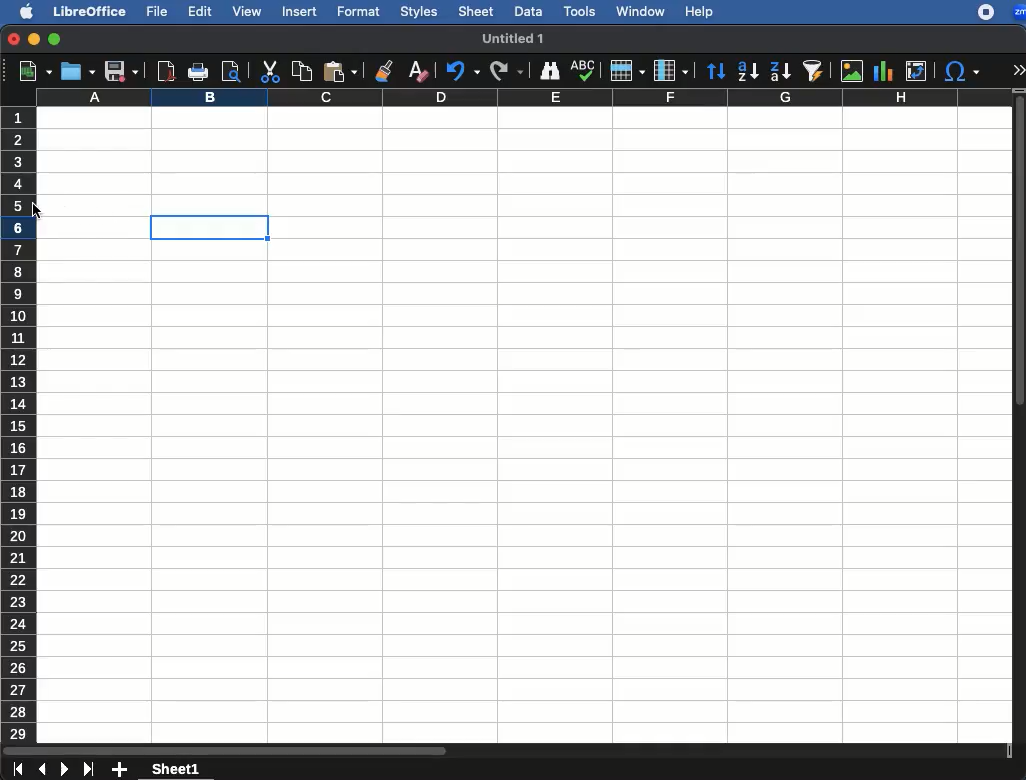 This screenshot has height=780, width=1026. What do you see at coordinates (40, 769) in the screenshot?
I see `previous sheet` at bounding box center [40, 769].